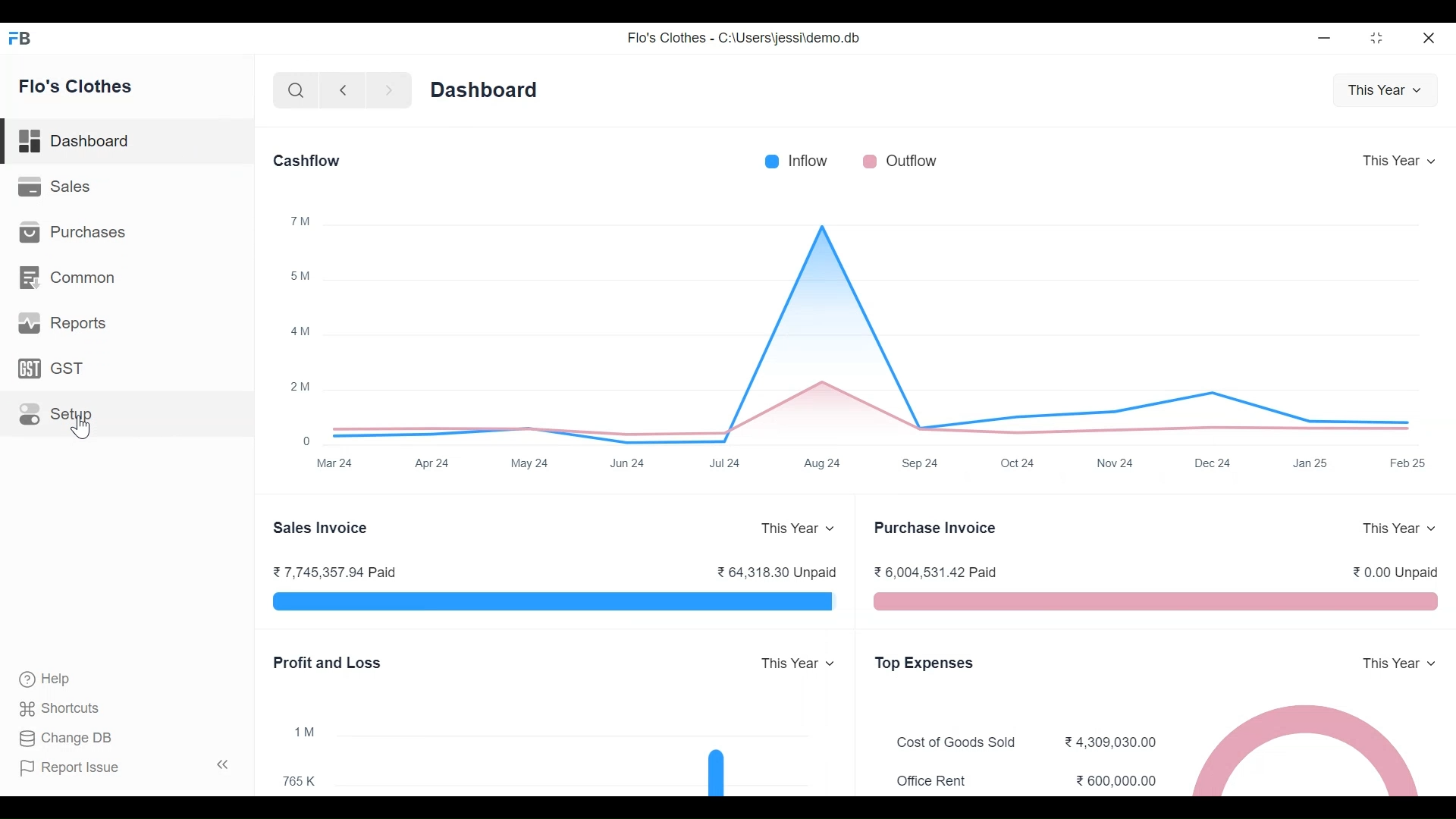 This screenshot has width=1456, height=819. I want to click on this year, so click(799, 528).